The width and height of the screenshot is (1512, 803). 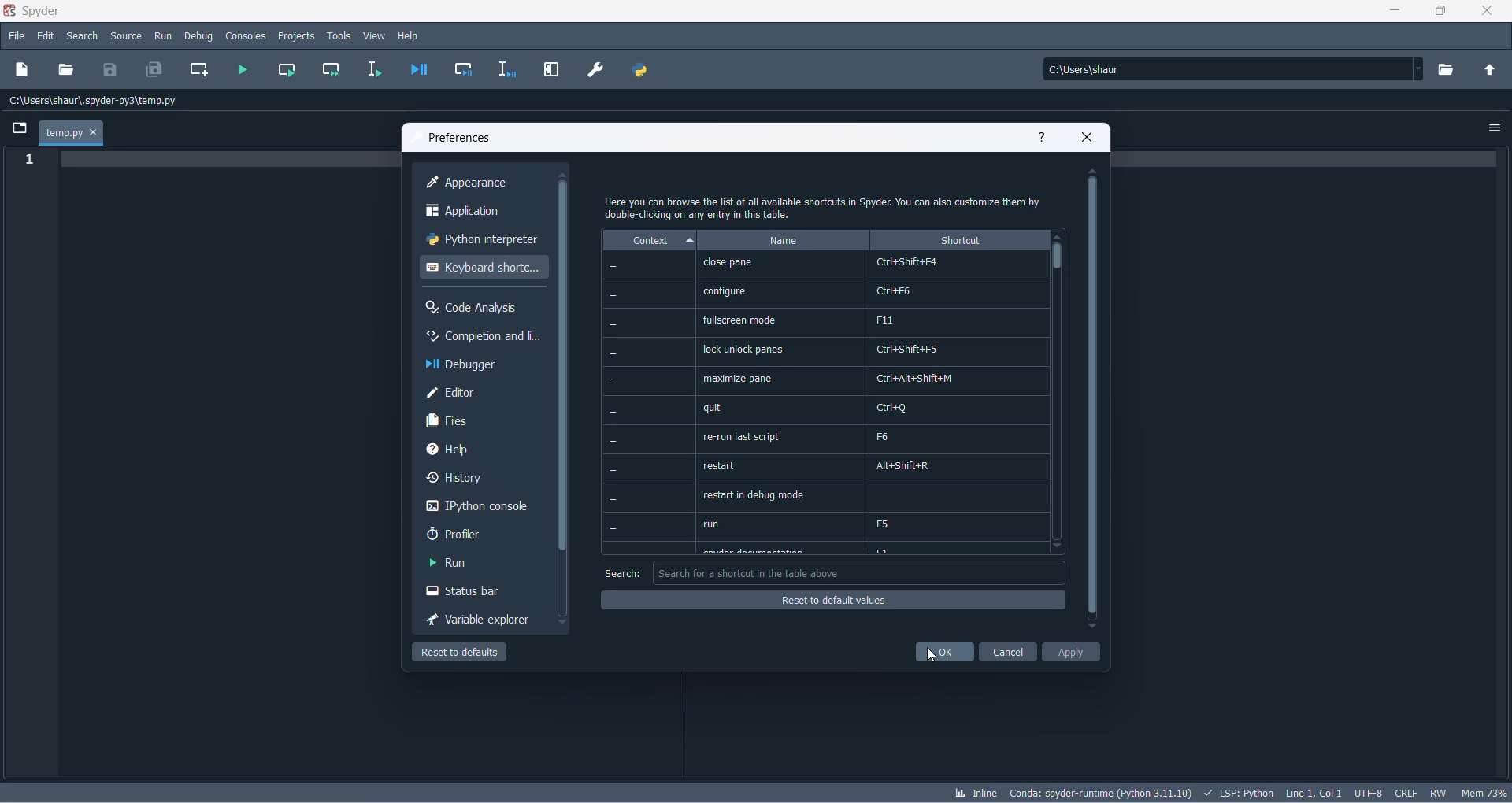 What do you see at coordinates (157, 72) in the screenshot?
I see `save all` at bounding box center [157, 72].